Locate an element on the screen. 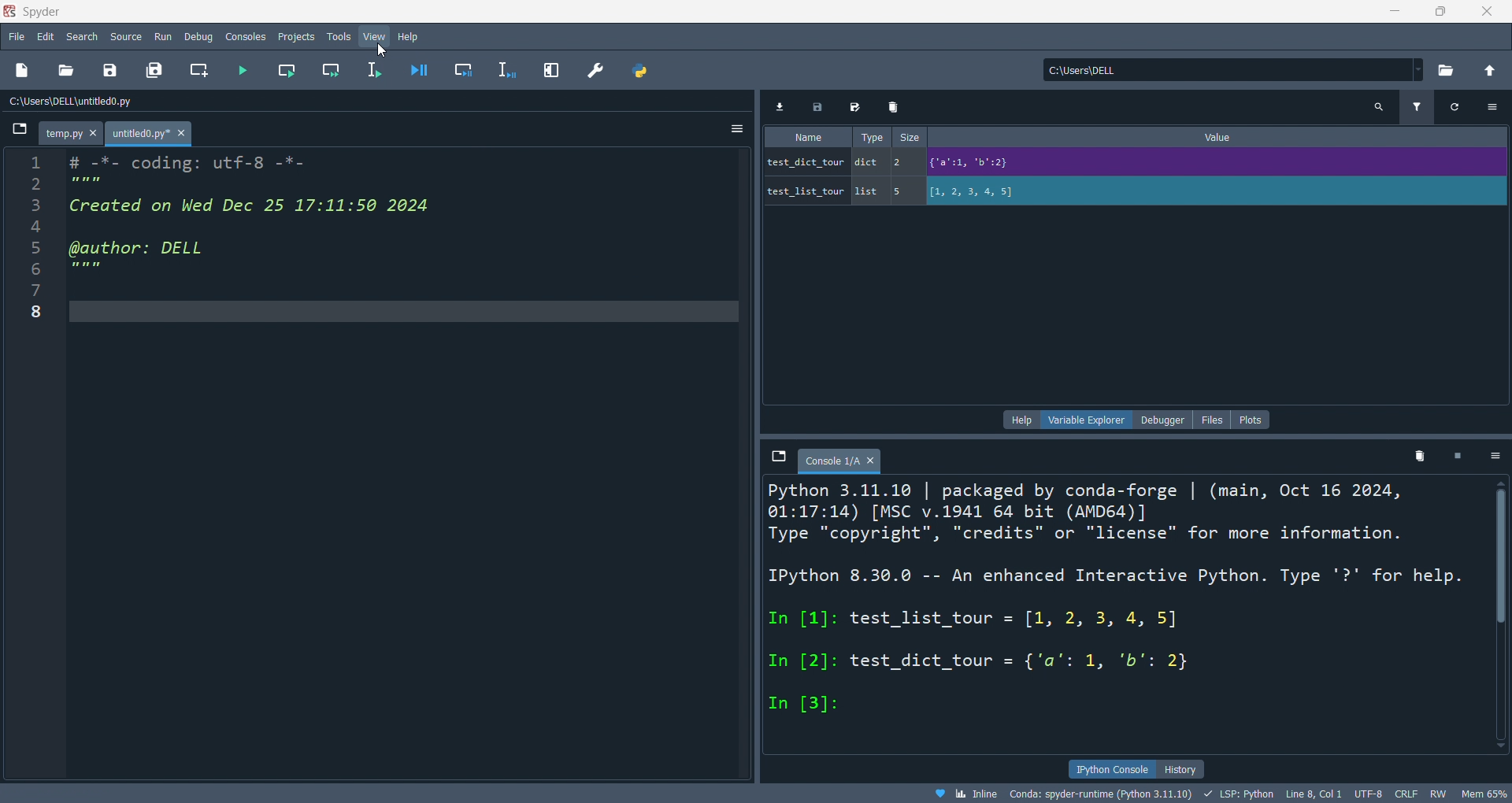  run cell andmove is located at coordinates (335, 69).